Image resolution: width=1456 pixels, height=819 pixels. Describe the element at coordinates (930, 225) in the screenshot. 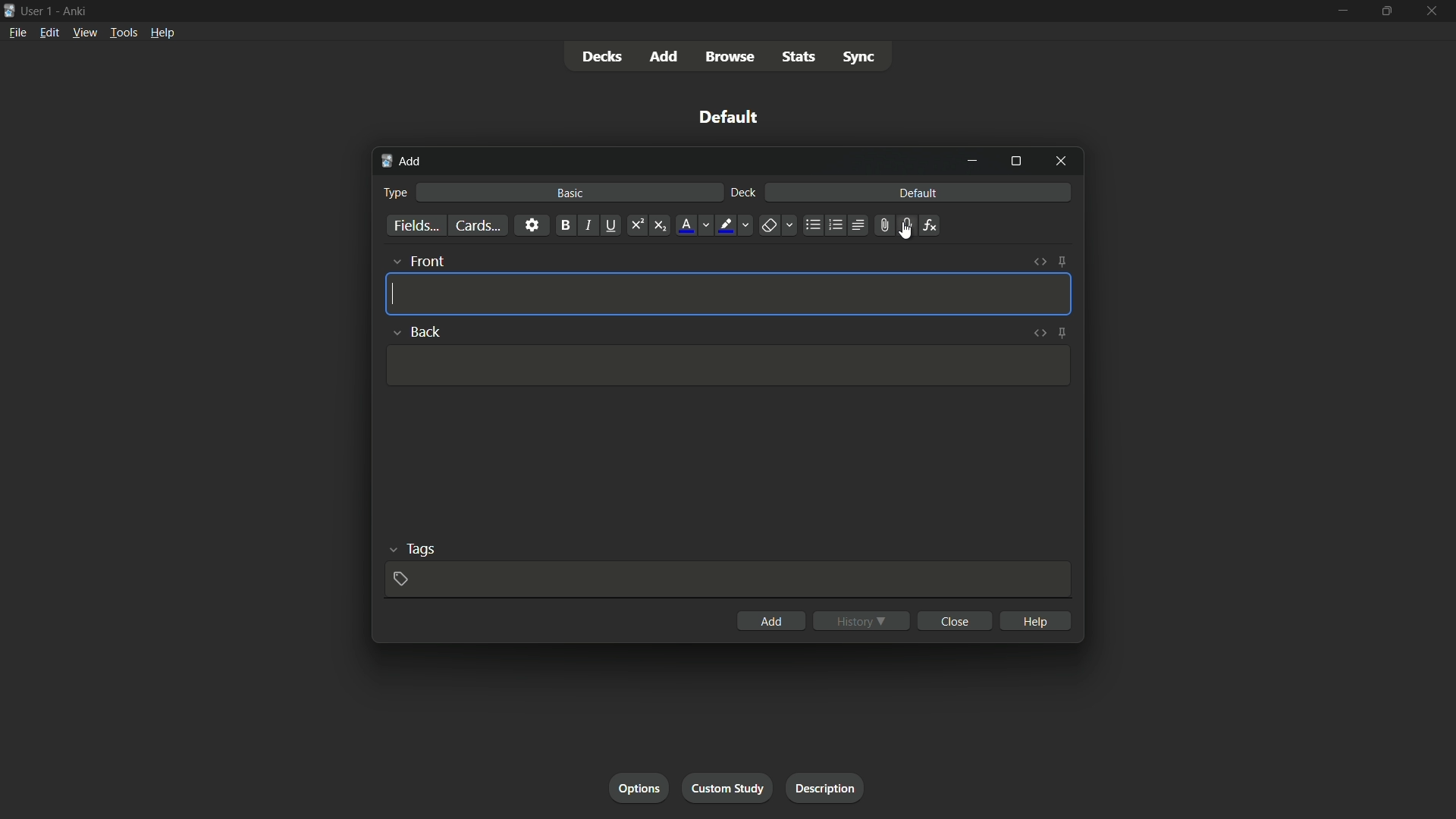

I see `equations` at that location.